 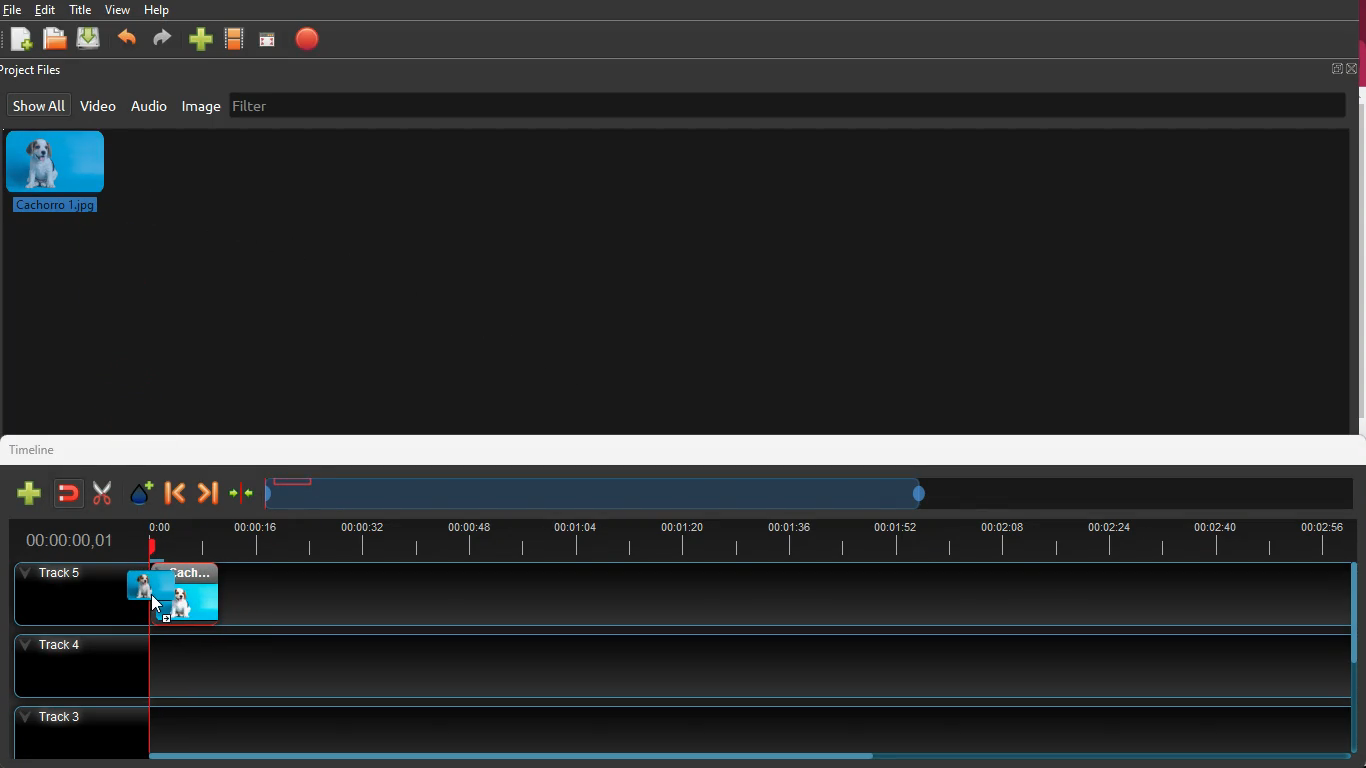 What do you see at coordinates (681, 726) in the screenshot?
I see `Track 3` at bounding box center [681, 726].